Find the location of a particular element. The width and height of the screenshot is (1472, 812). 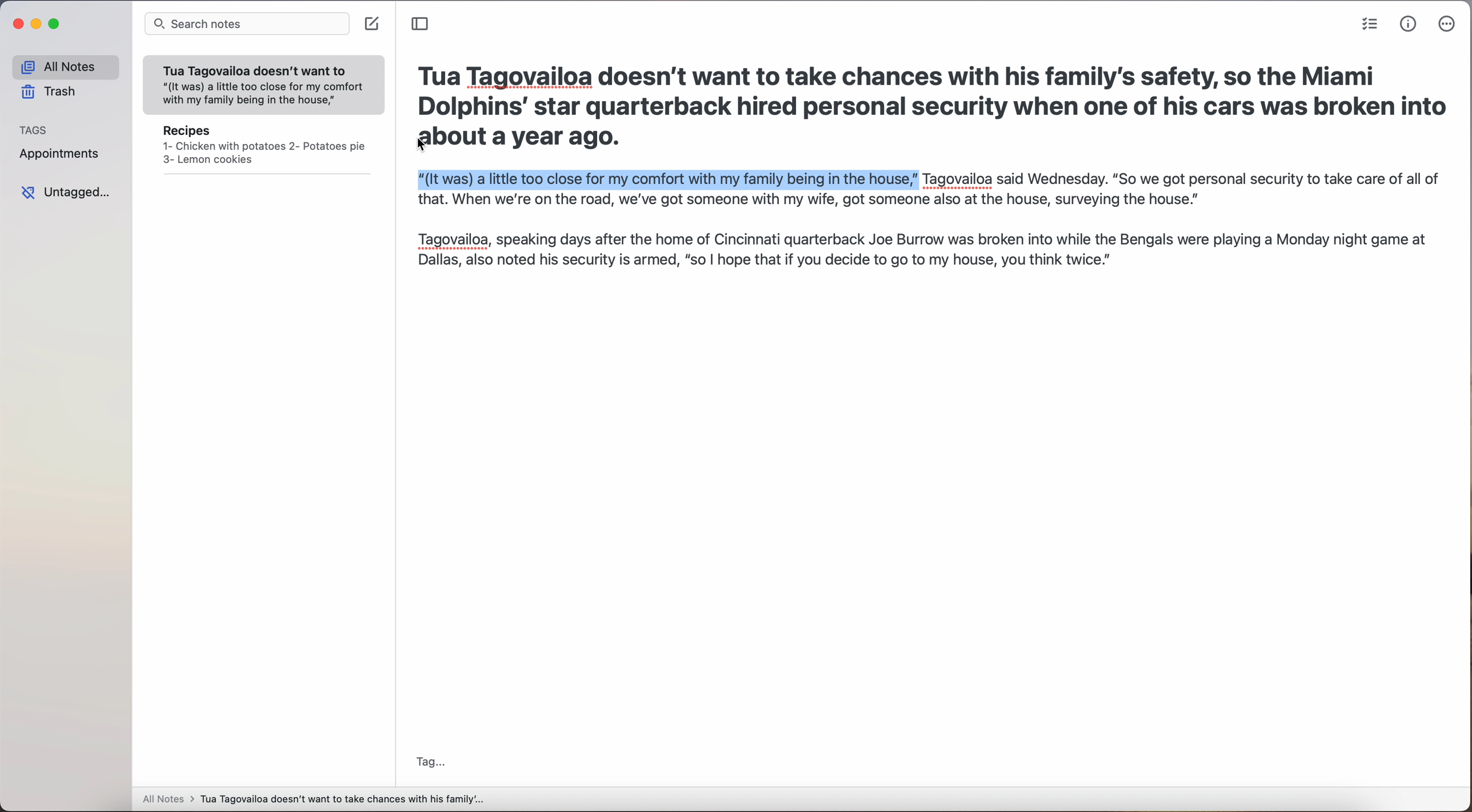

about a year ago is located at coordinates (513, 139).